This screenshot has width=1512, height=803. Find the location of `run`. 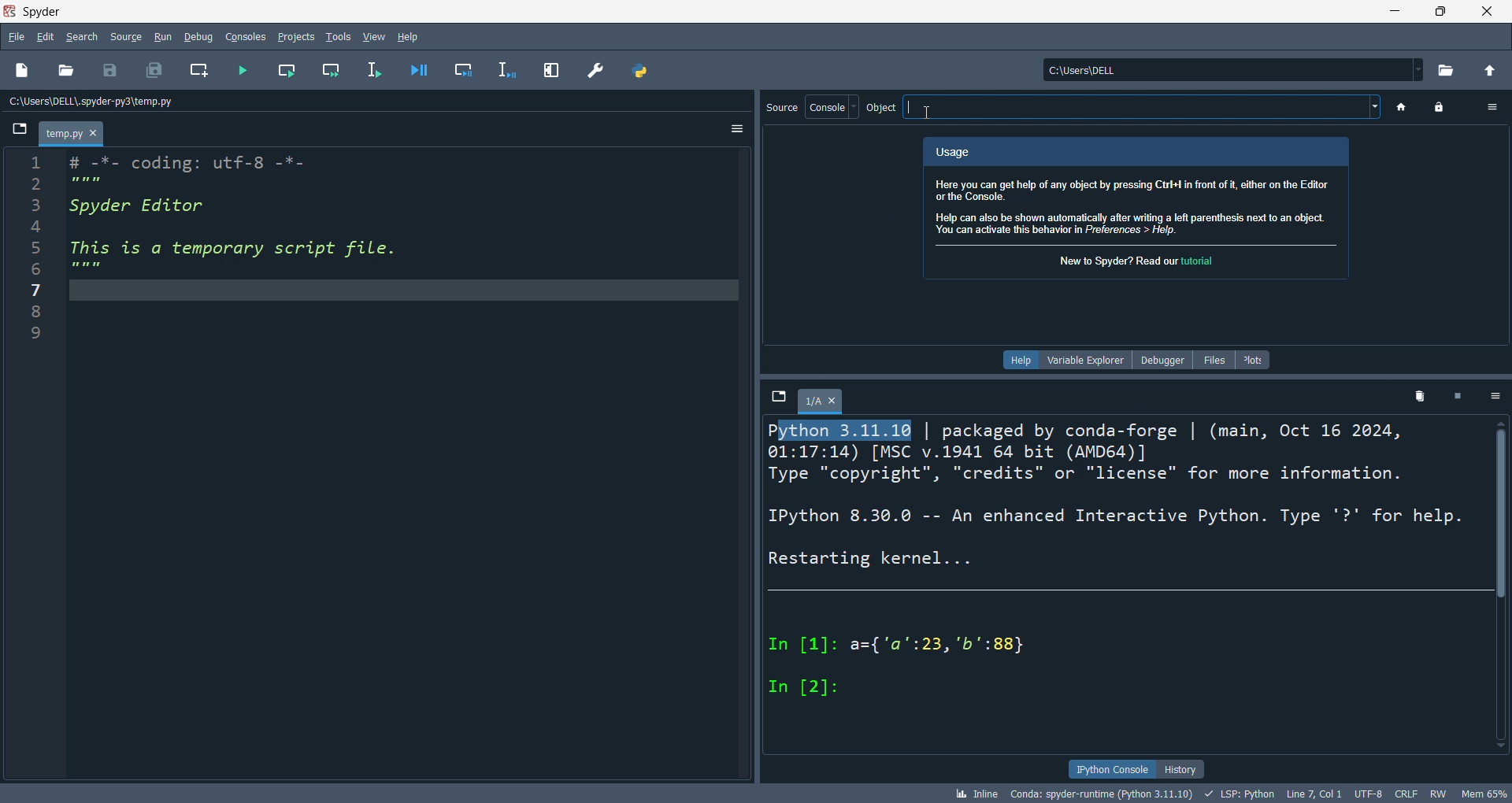

run is located at coordinates (160, 37).